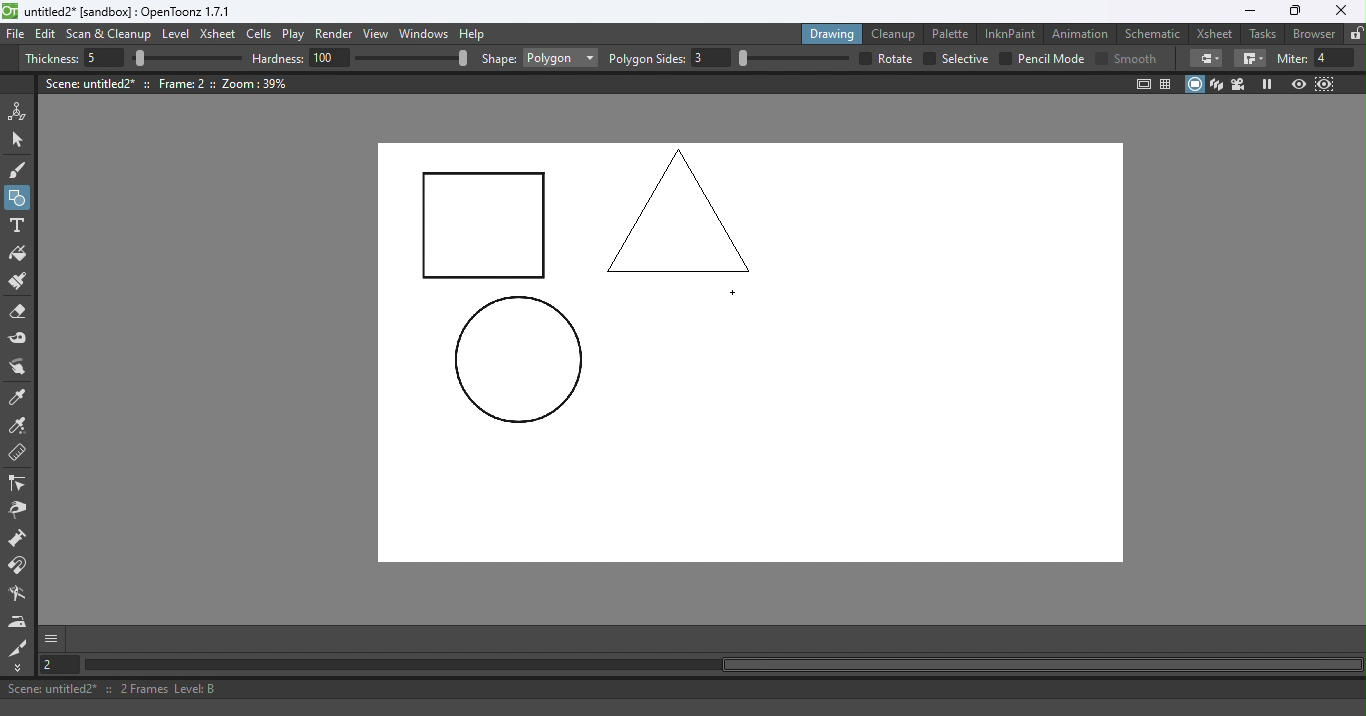 The width and height of the screenshot is (1366, 716). I want to click on Freeze, so click(1267, 84).